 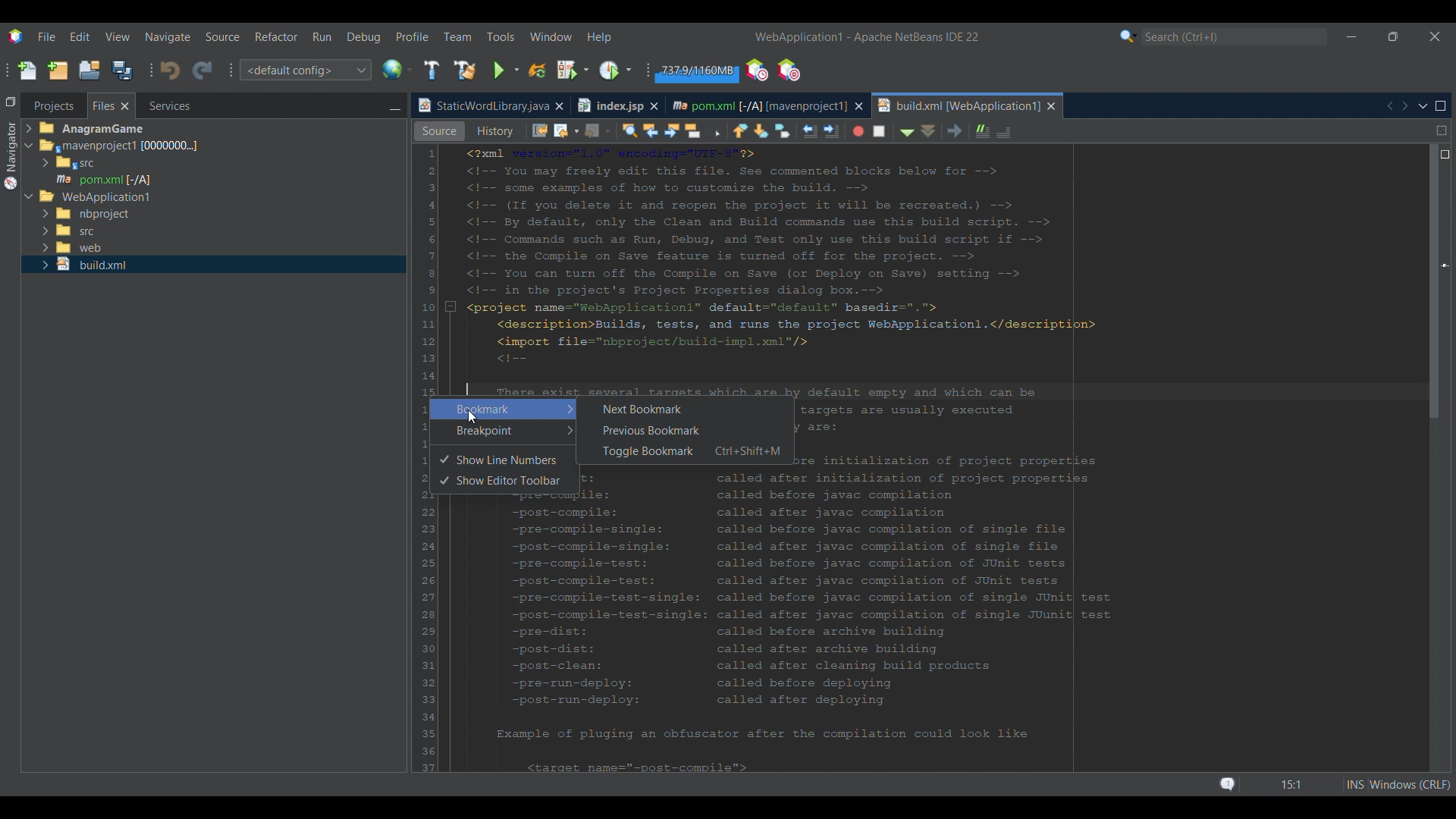 I want to click on Cursor right clicking , so click(x=436, y=231).